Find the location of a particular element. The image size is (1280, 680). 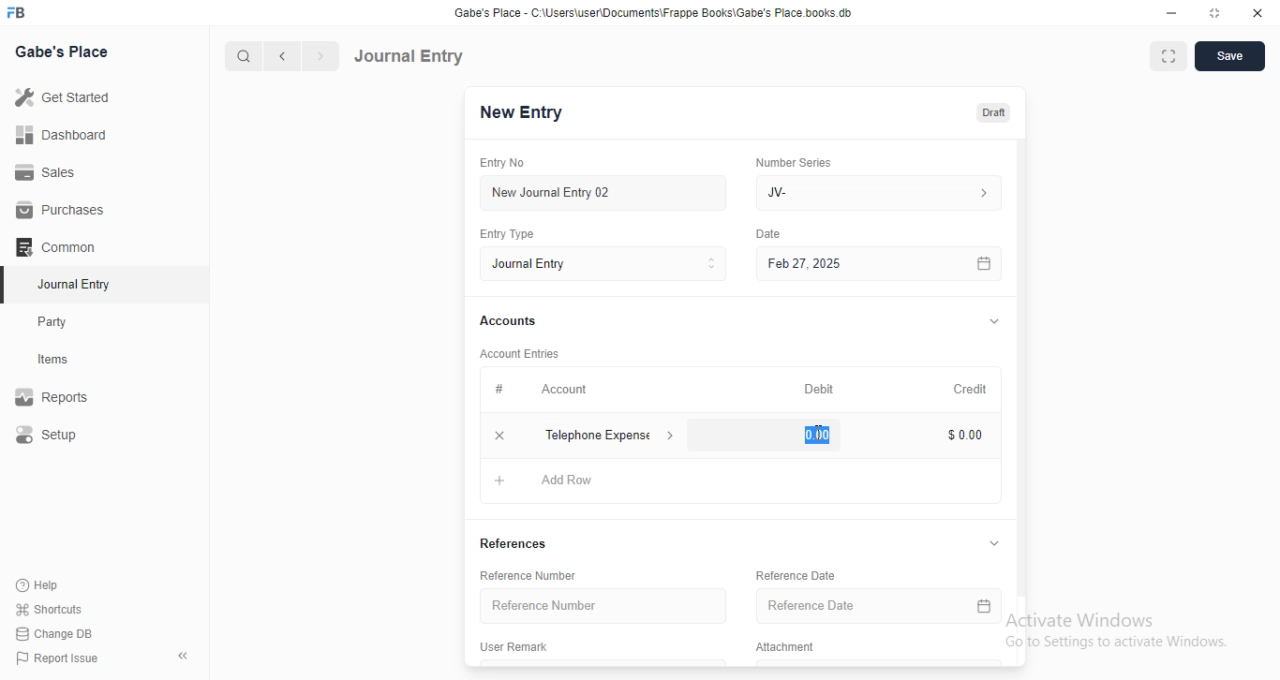

Reference Number is located at coordinates (537, 574).